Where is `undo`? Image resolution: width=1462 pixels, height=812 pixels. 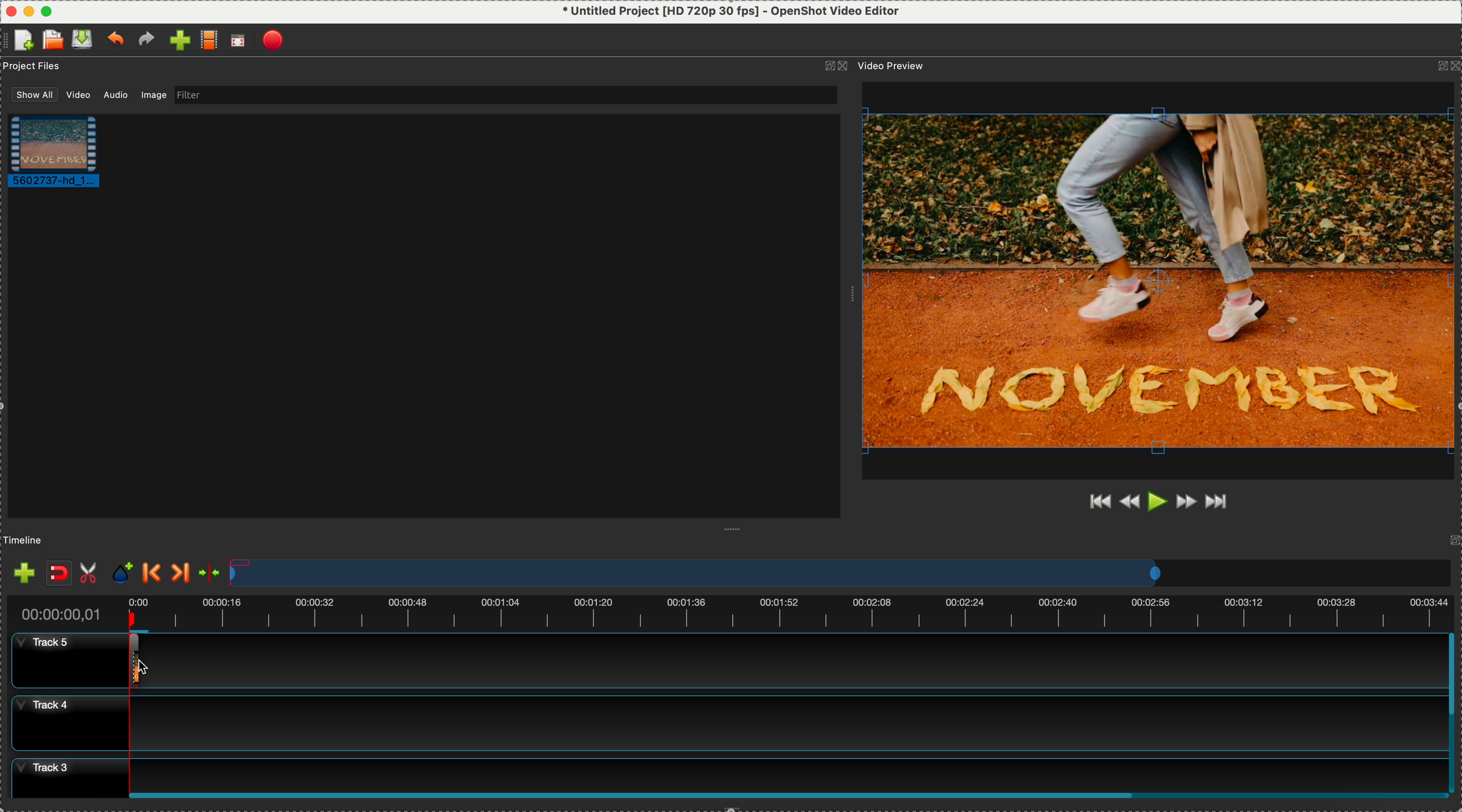 undo is located at coordinates (115, 40).